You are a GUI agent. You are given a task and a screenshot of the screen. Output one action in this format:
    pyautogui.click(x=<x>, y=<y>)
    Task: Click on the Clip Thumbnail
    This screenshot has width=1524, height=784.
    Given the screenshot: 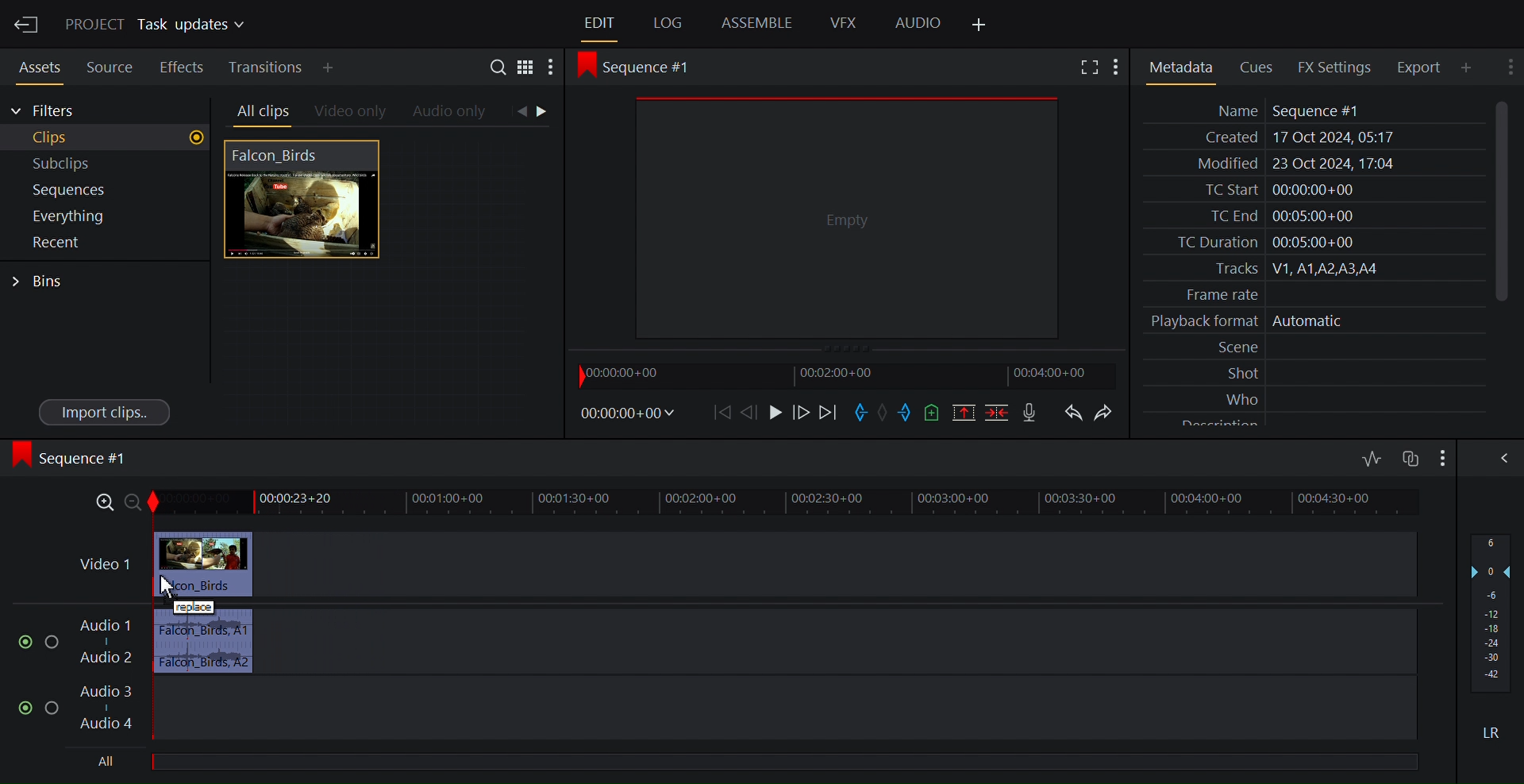 What is the action you would take?
    pyautogui.click(x=383, y=285)
    